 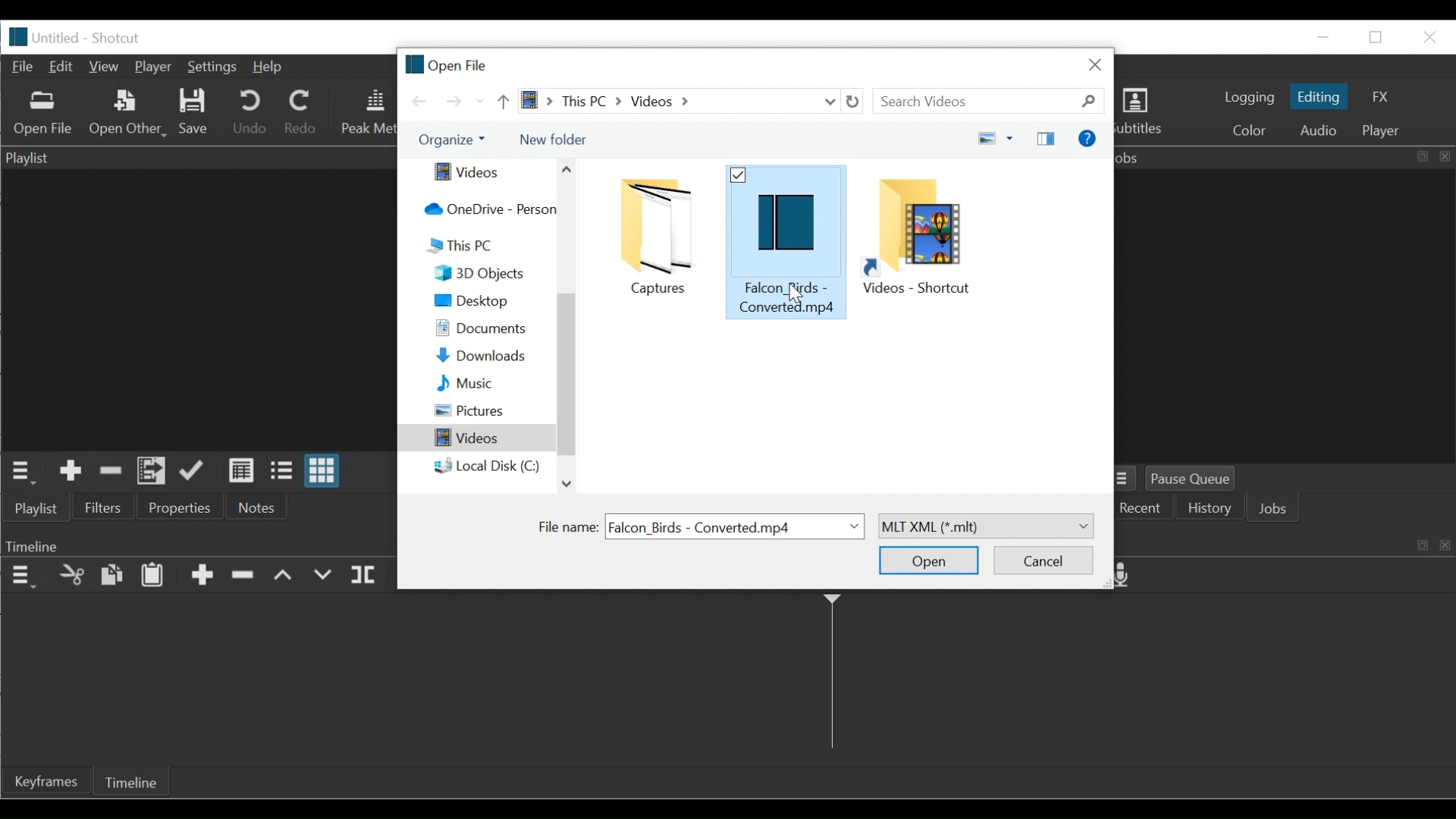 What do you see at coordinates (153, 67) in the screenshot?
I see `Player` at bounding box center [153, 67].